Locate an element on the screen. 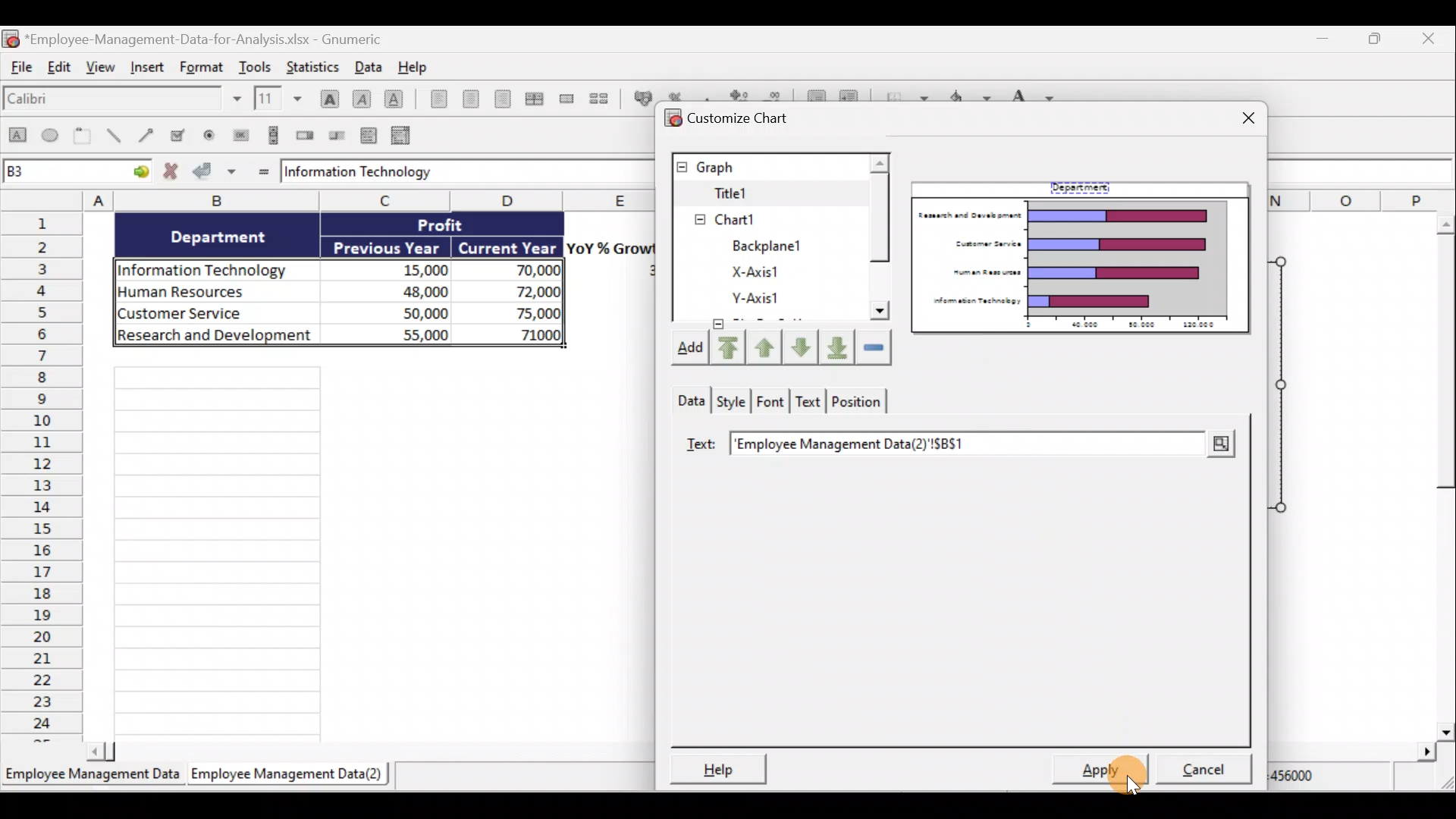 The width and height of the screenshot is (1456, 819). Rows is located at coordinates (42, 475).